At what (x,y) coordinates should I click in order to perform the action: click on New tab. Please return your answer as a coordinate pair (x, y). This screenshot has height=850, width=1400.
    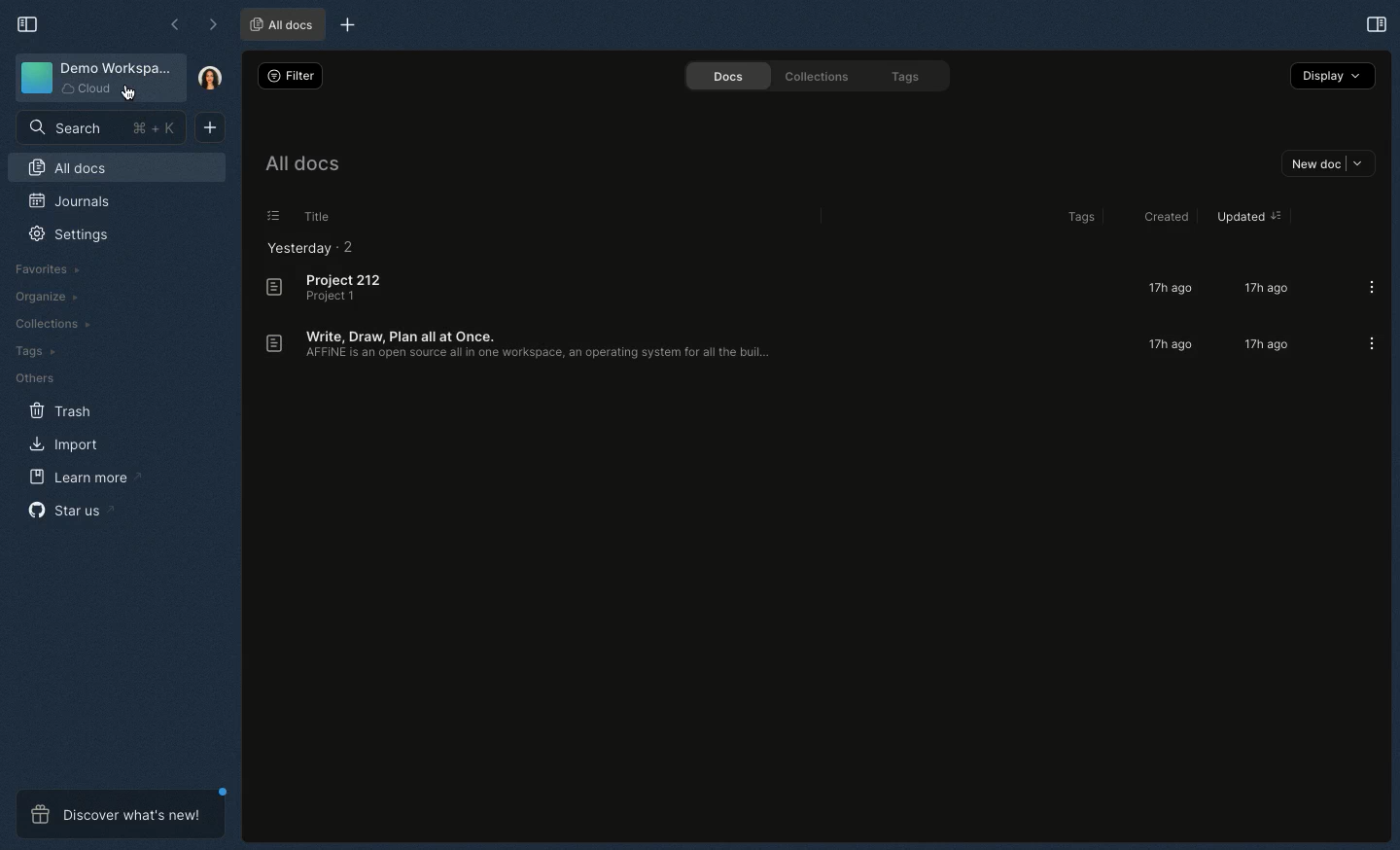
    Looking at the image, I should click on (357, 23).